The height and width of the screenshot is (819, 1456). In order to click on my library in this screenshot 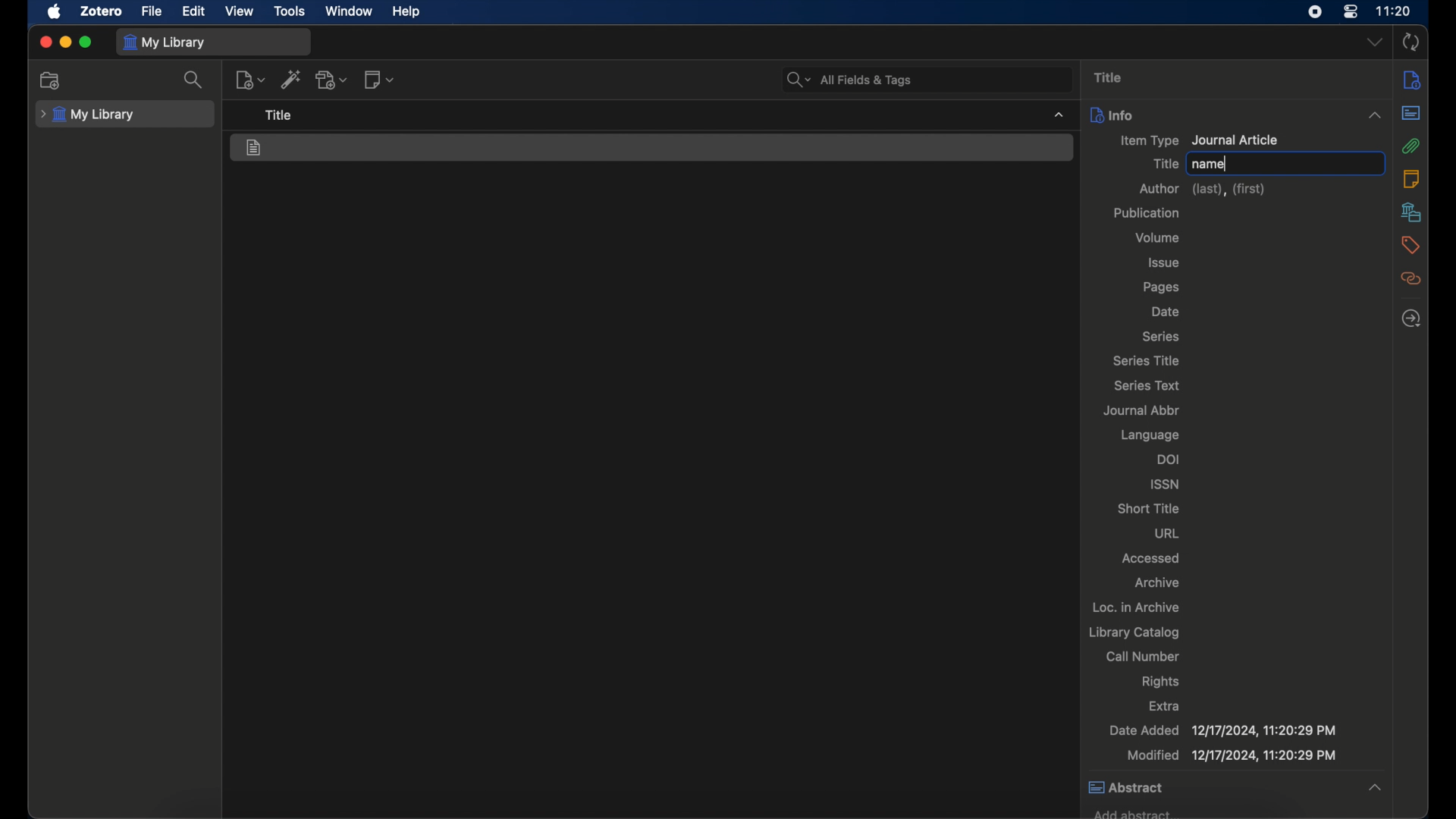, I will do `click(163, 42)`.